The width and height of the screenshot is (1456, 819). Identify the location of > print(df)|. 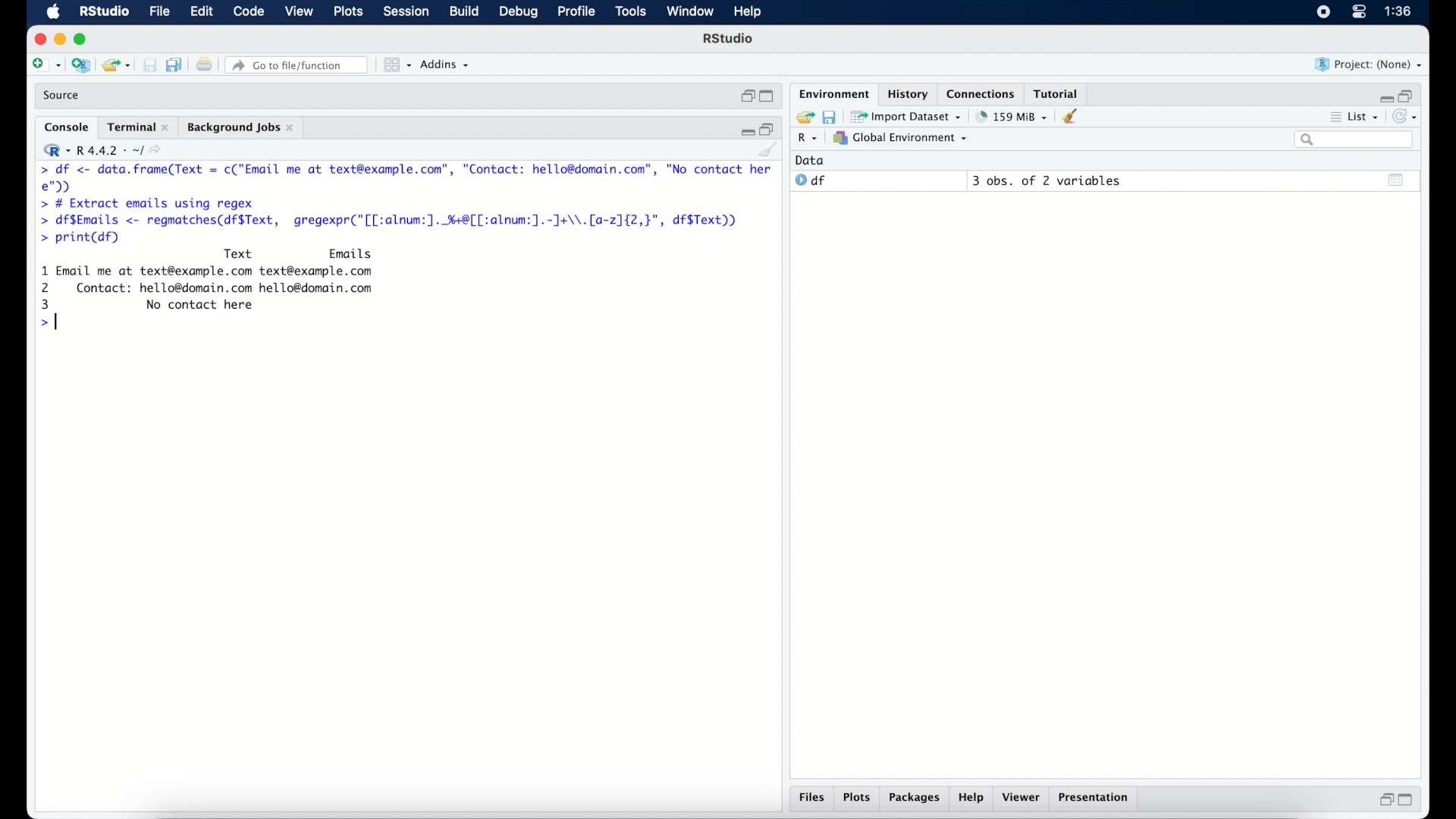
(79, 238).